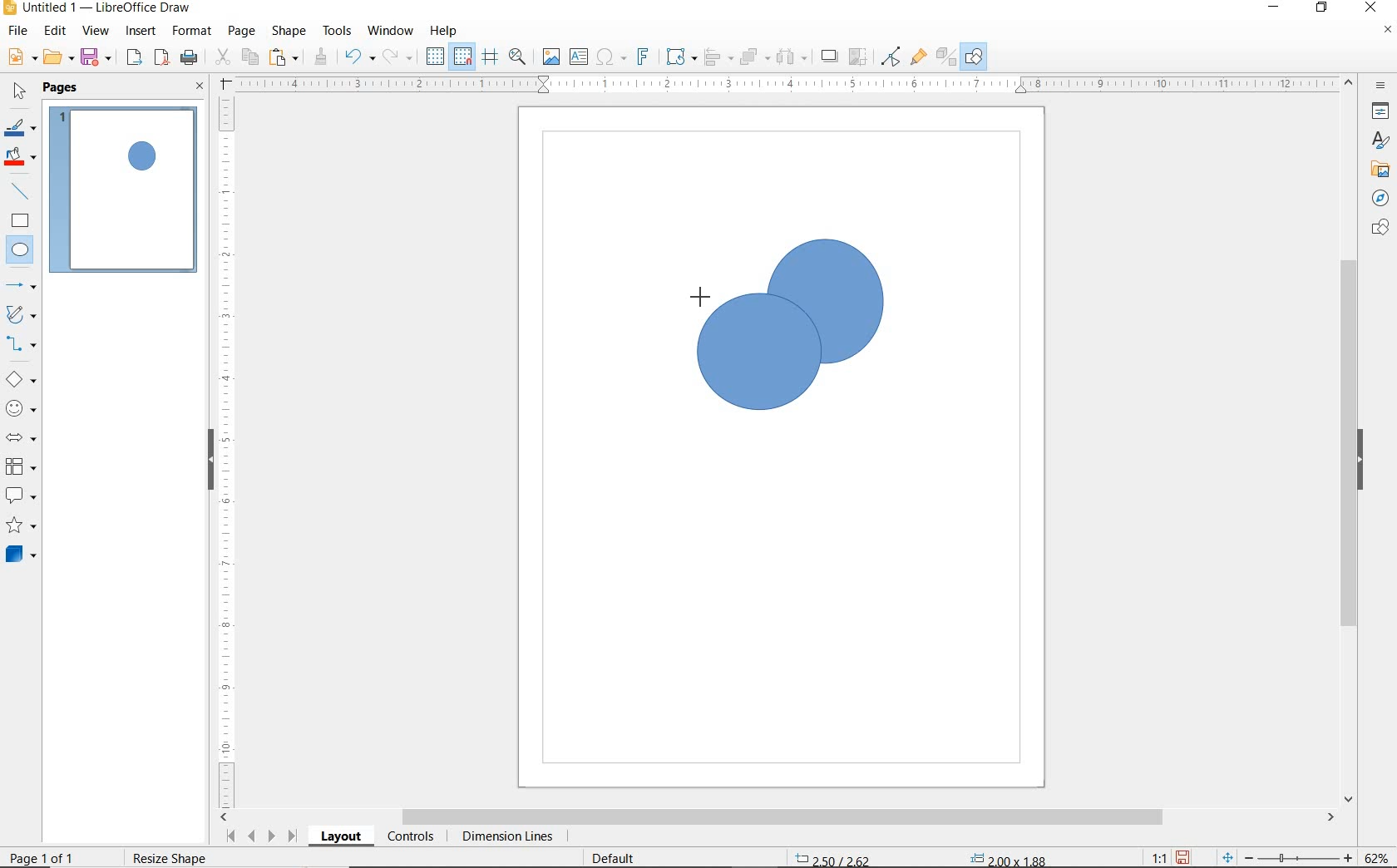 The height and width of the screenshot is (868, 1397). I want to click on CALLOUT SHAPES, so click(20, 496).